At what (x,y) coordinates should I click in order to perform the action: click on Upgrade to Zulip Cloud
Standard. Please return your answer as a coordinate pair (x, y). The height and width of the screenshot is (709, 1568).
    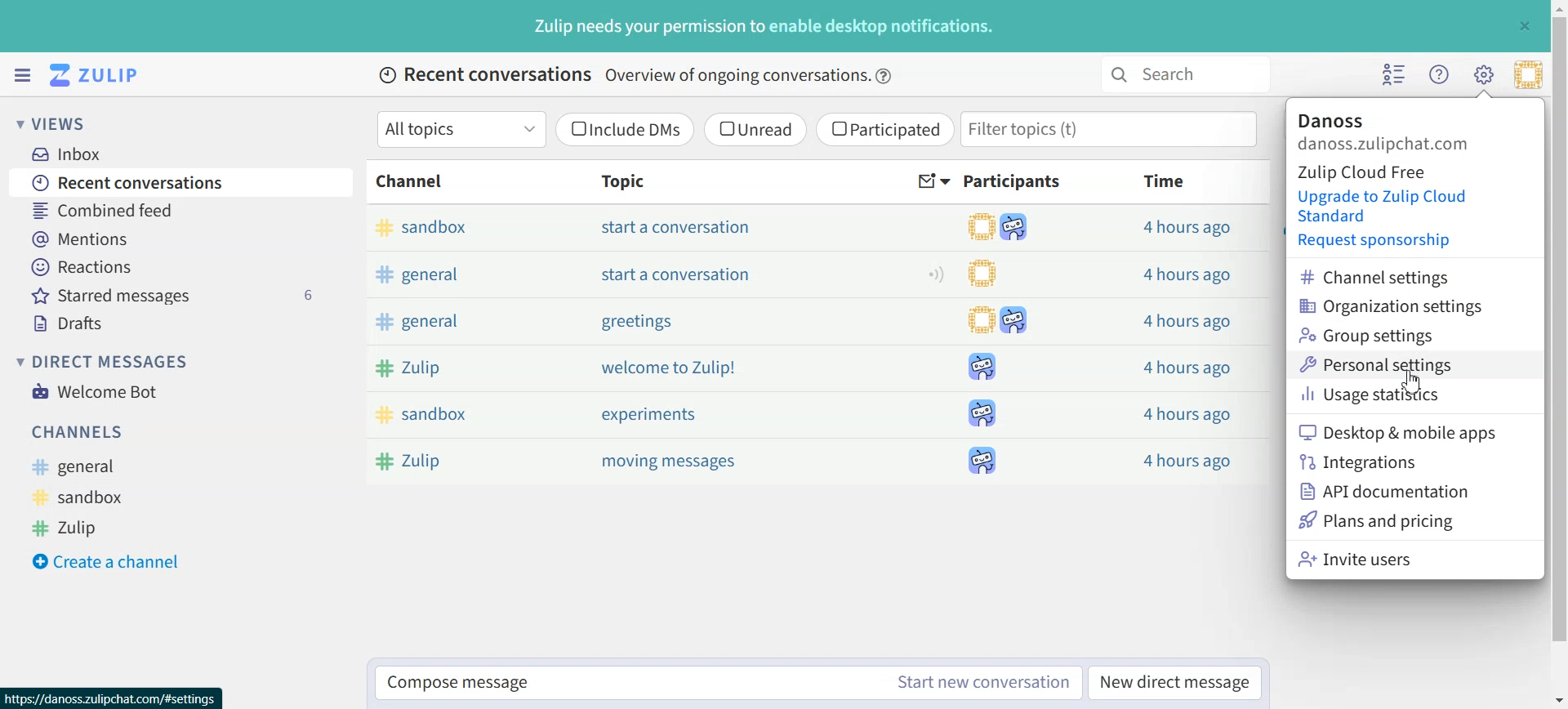
    Looking at the image, I should click on (1388, 207).